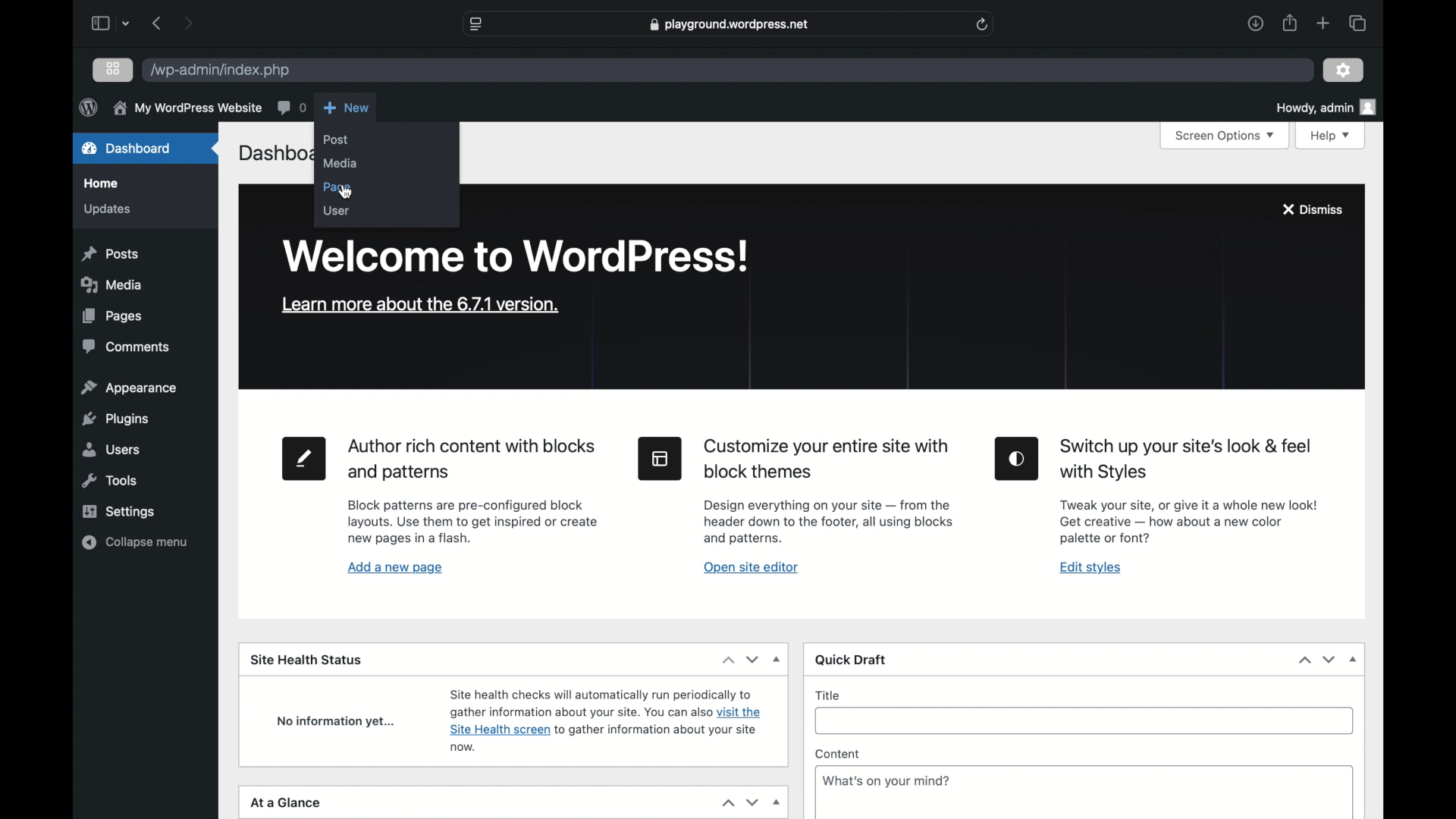  Describe the element at coordinates (304, 460) in the screenshot. I see `new page` at that location.